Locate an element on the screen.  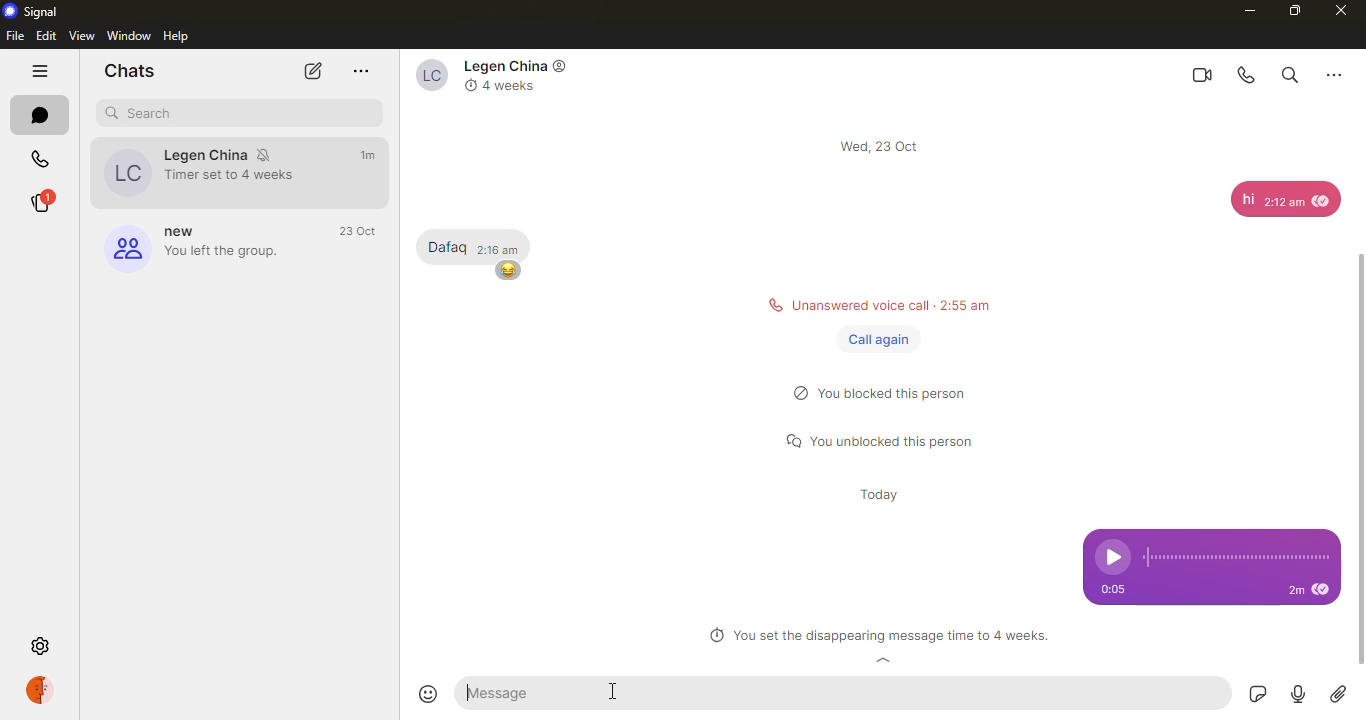
emoji is located at coordinates (431, 694).